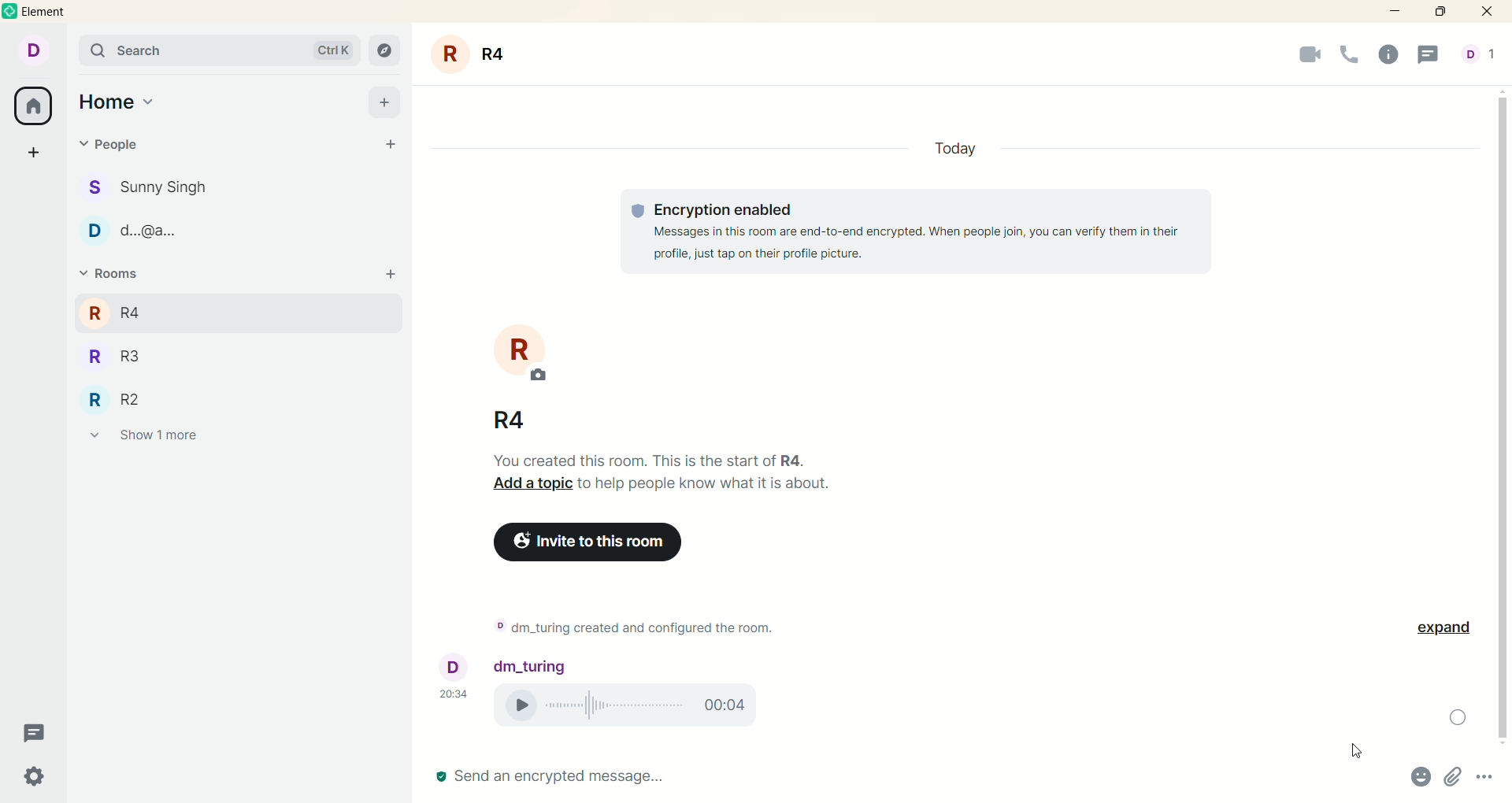 The width and height of the screenshot is (1512, 803). What do you see at coordinates (54, 12) in the screenshot?
I see `element` at bounding box center [54, 12].